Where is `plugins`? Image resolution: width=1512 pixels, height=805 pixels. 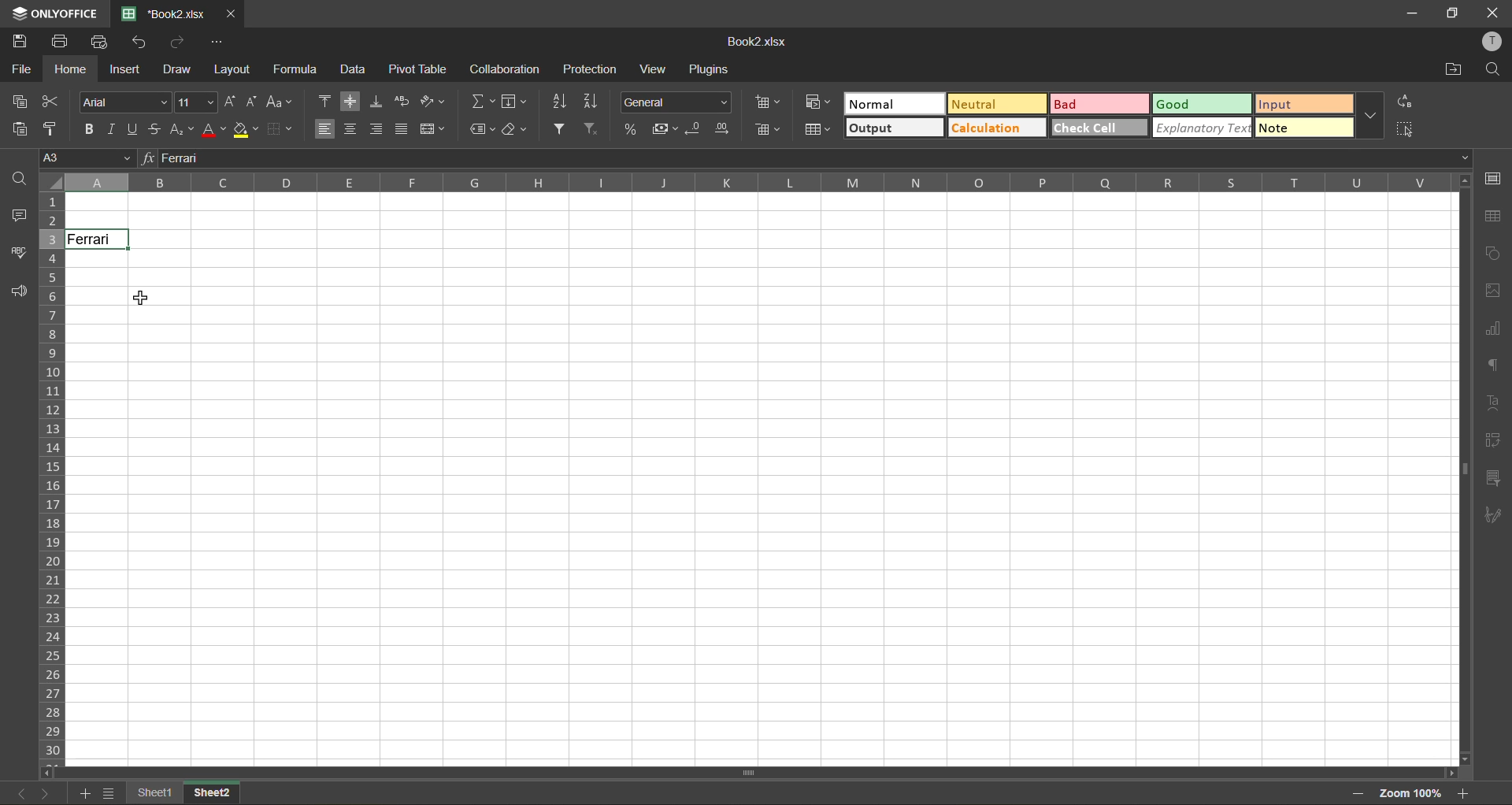 plugins is located at coordinates (711, 69).